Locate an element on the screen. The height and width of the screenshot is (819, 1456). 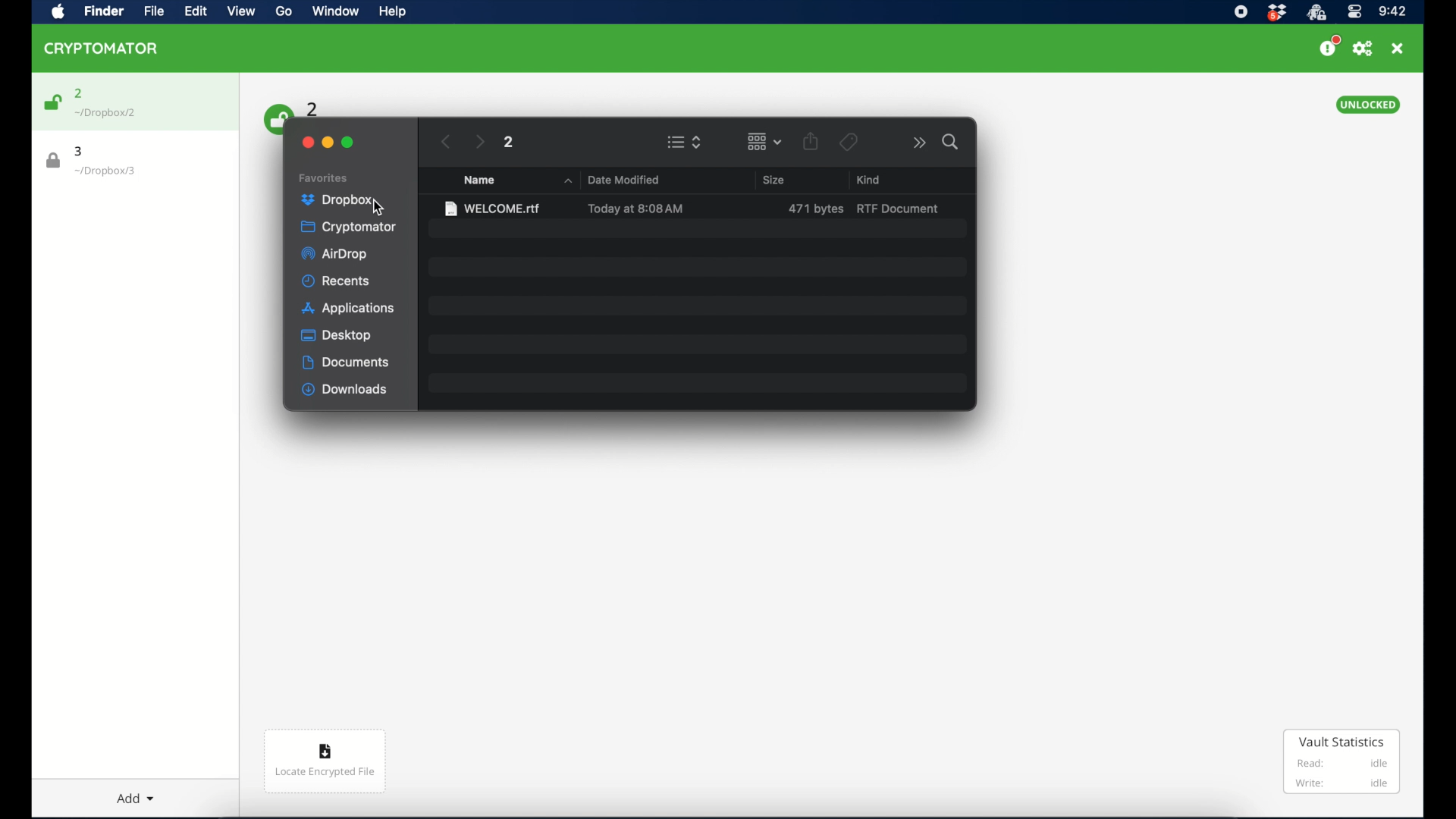
3 is located at coordinates (80, 151).